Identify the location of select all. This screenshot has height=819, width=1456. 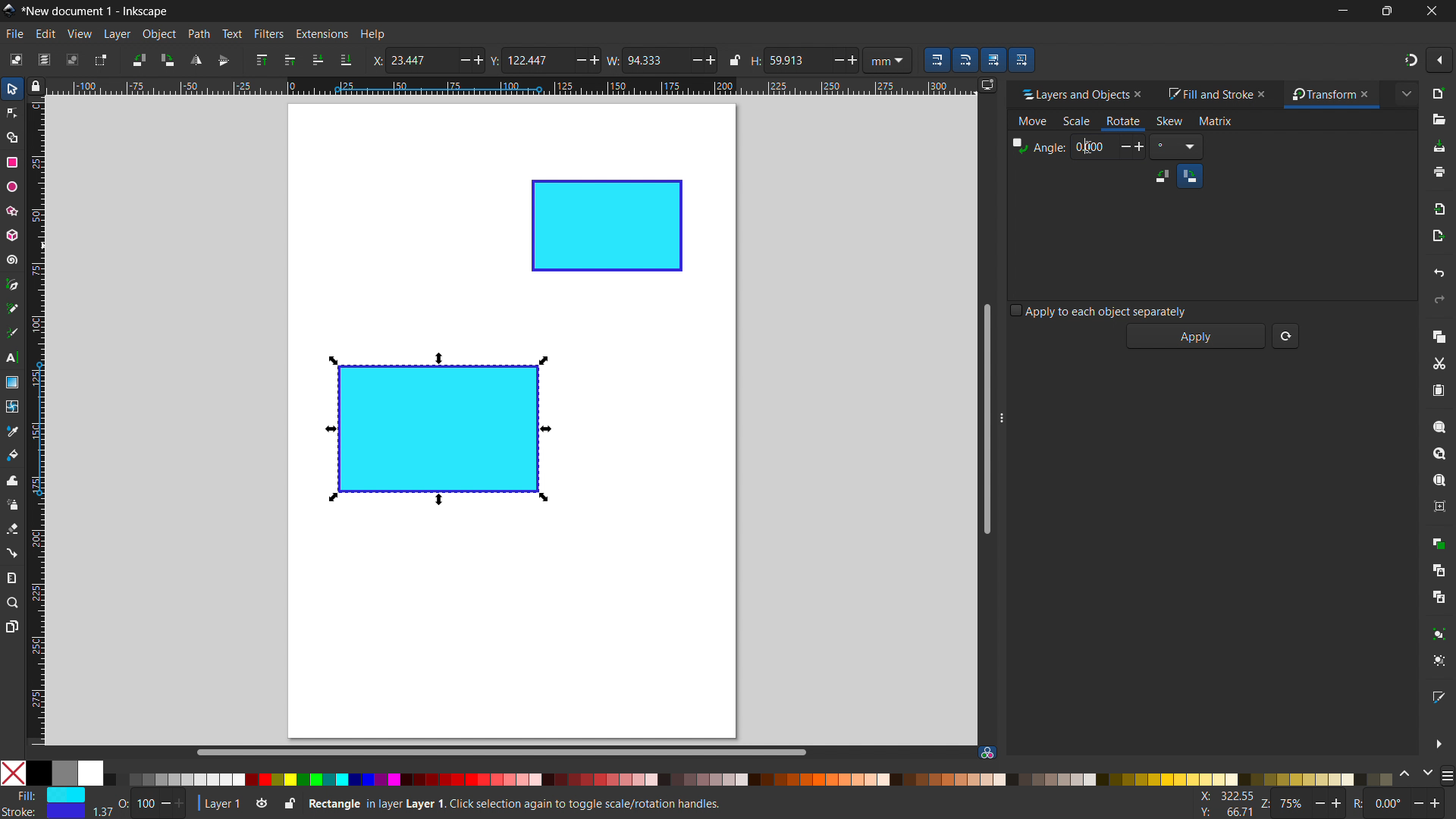
(14, 59).